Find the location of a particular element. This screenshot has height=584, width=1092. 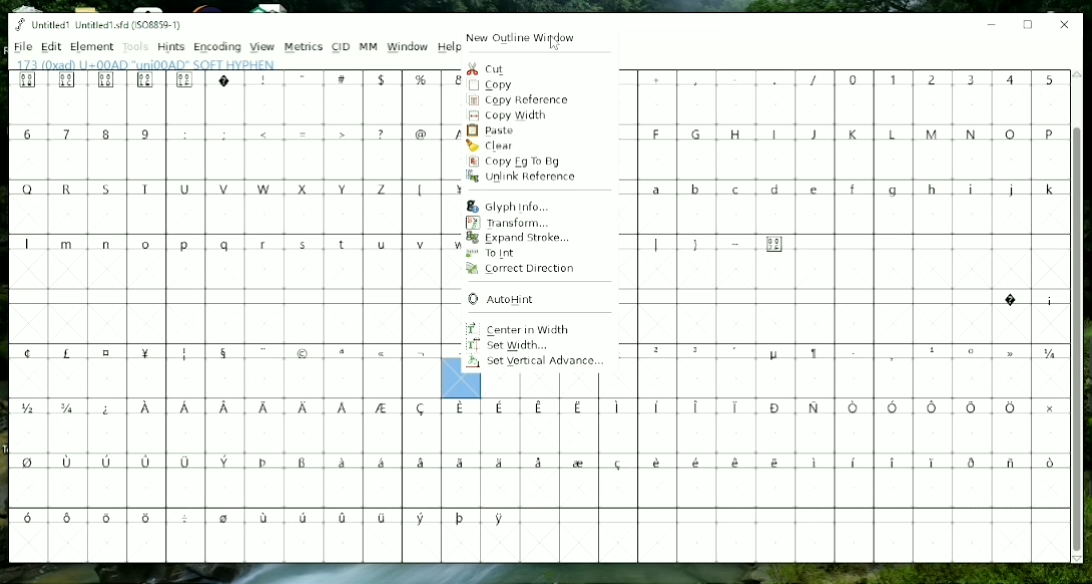

Capital letters is located at coordinates (852, 134).